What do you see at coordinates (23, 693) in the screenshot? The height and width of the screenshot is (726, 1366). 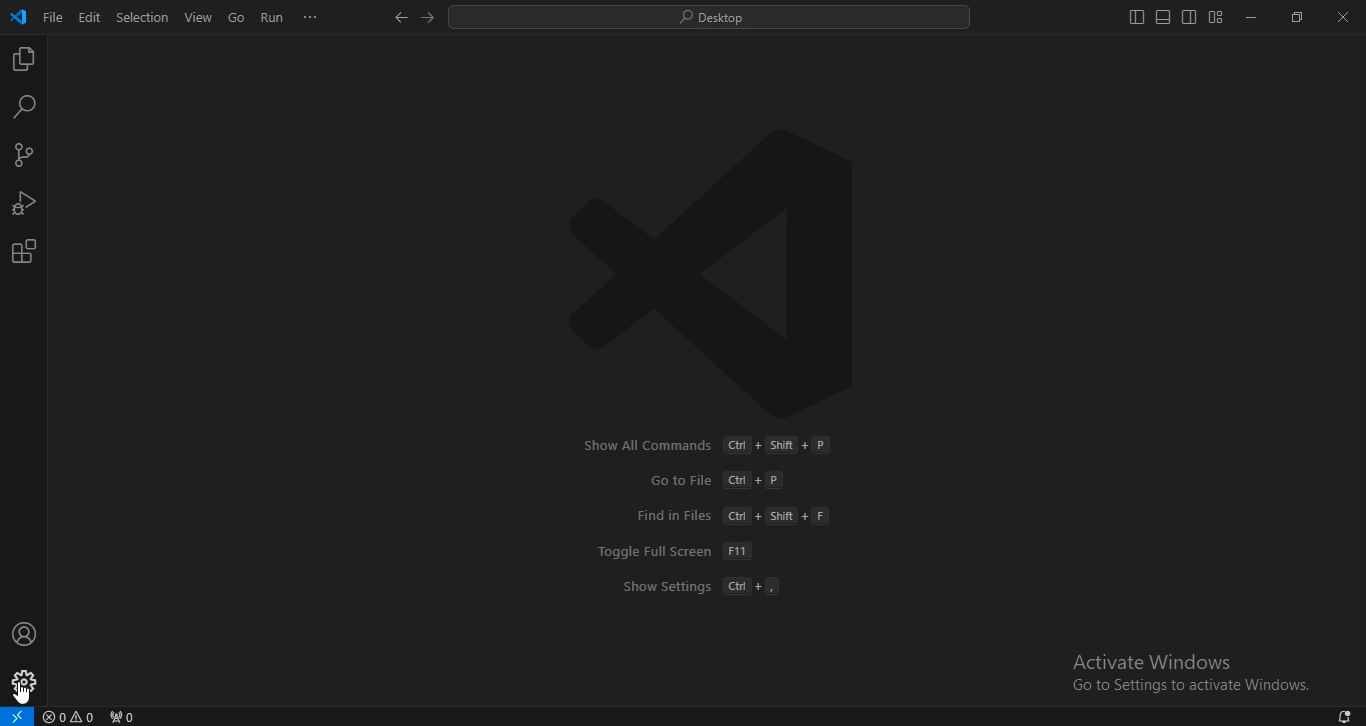 I see `cursor` at bounding box center [23, 693].